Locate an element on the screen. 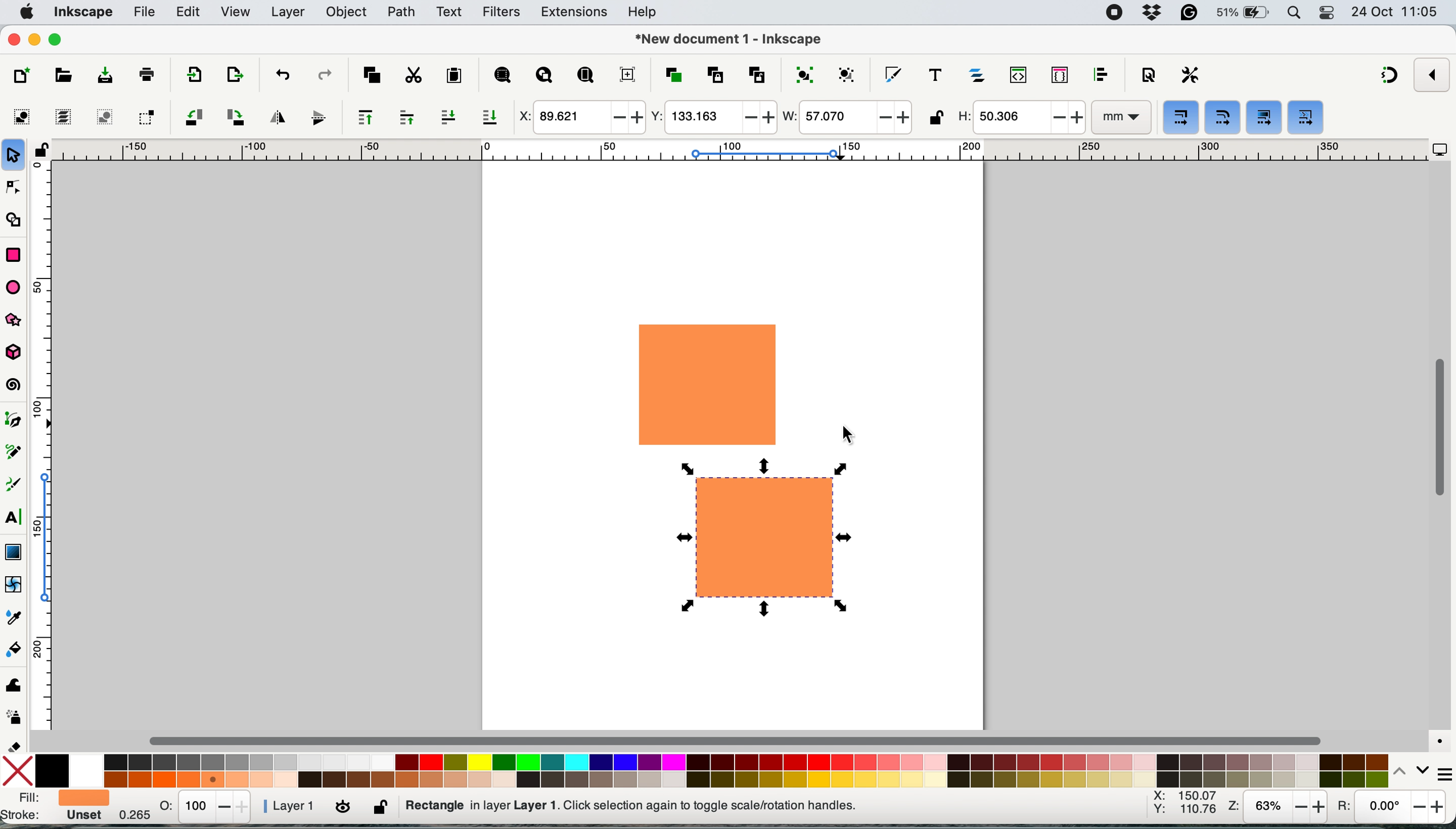  save is located at coordinates (96, 76).